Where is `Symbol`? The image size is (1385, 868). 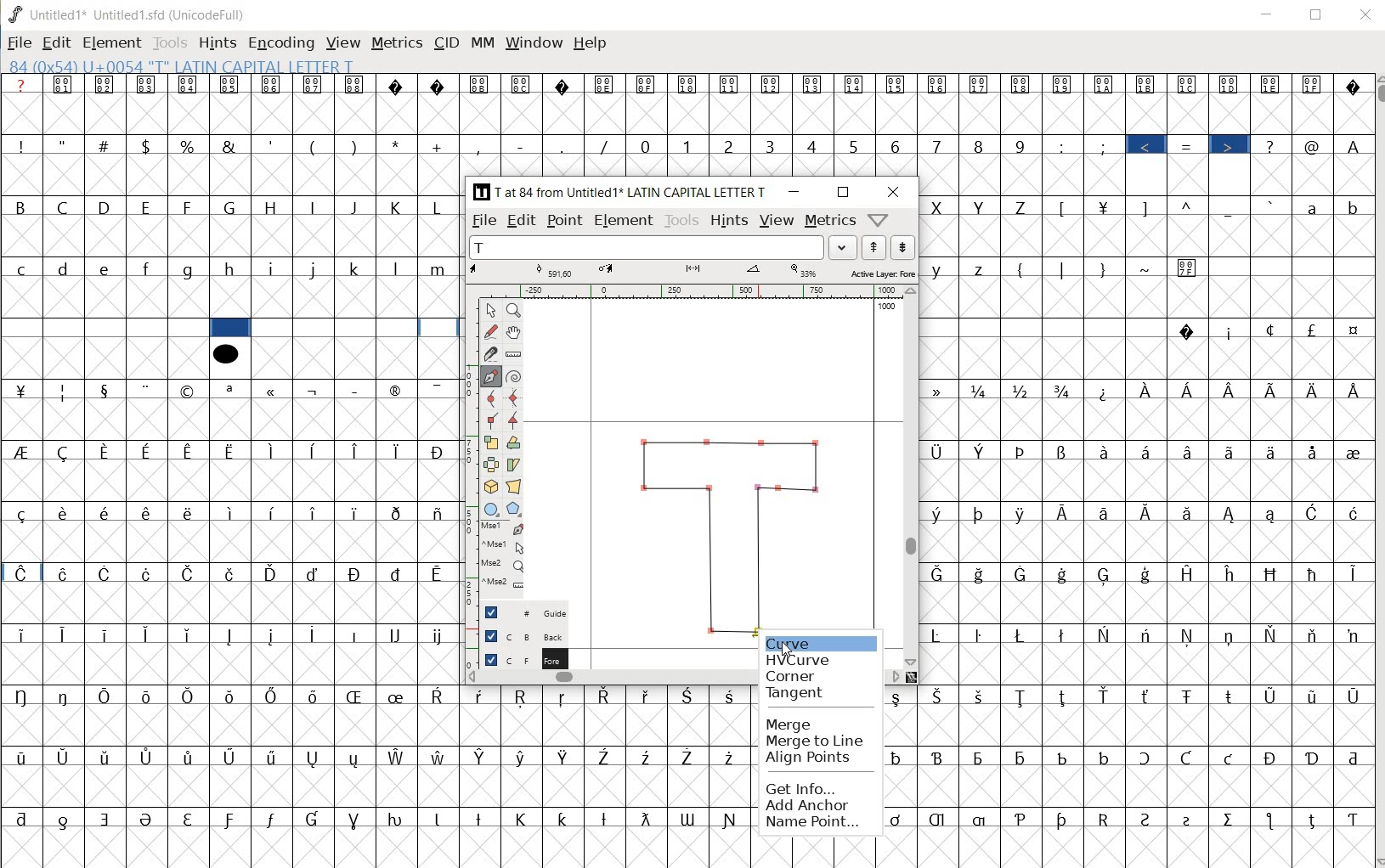
Symbol is located at coordinates (941, 573).